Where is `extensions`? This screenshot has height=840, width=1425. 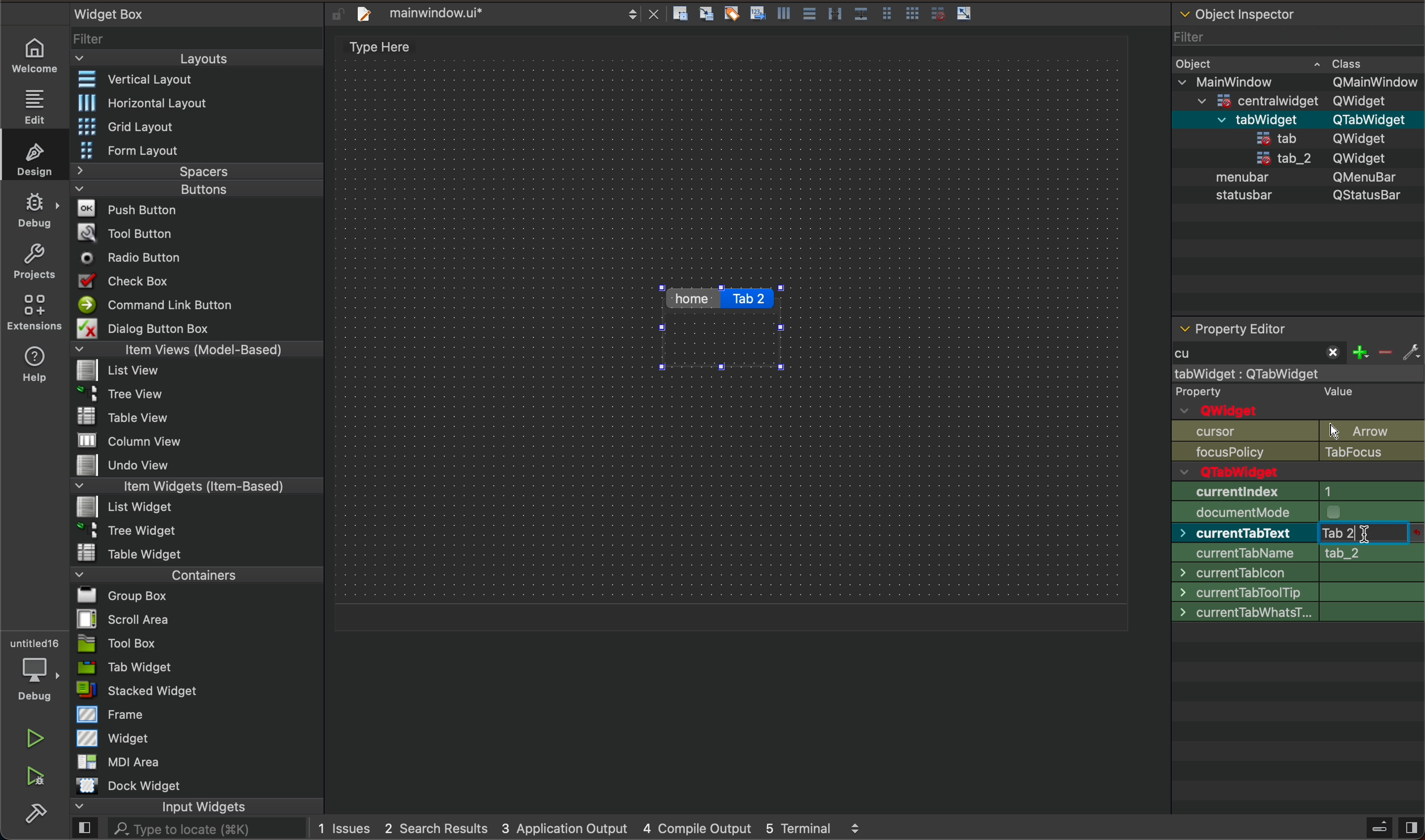 extensions is located at coordinates (37, 310).